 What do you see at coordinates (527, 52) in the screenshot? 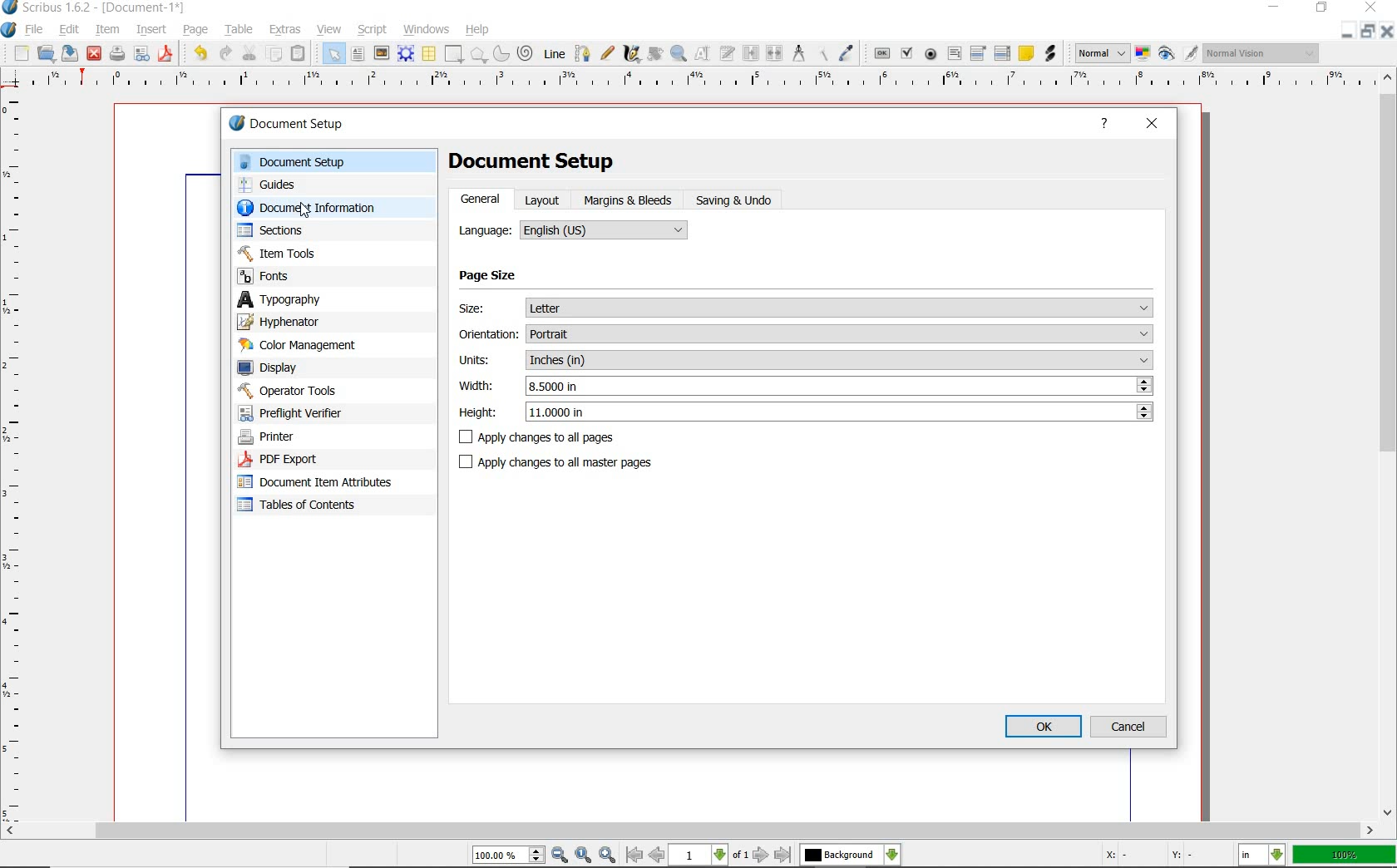
I see `spiral` at bounding box center [527, 52].